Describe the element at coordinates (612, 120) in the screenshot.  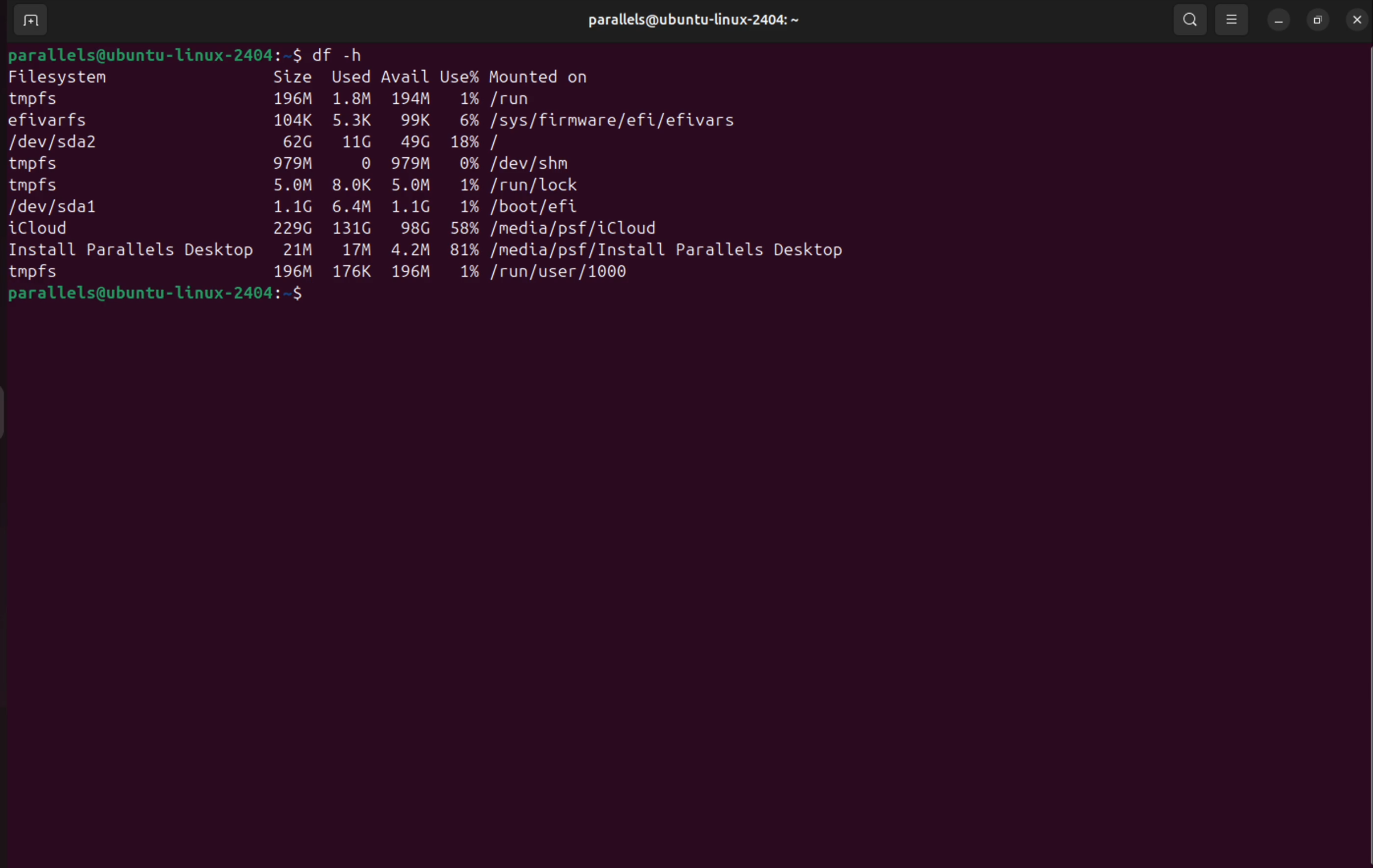
I see `sys/firmware/efi/efivars` at that location.